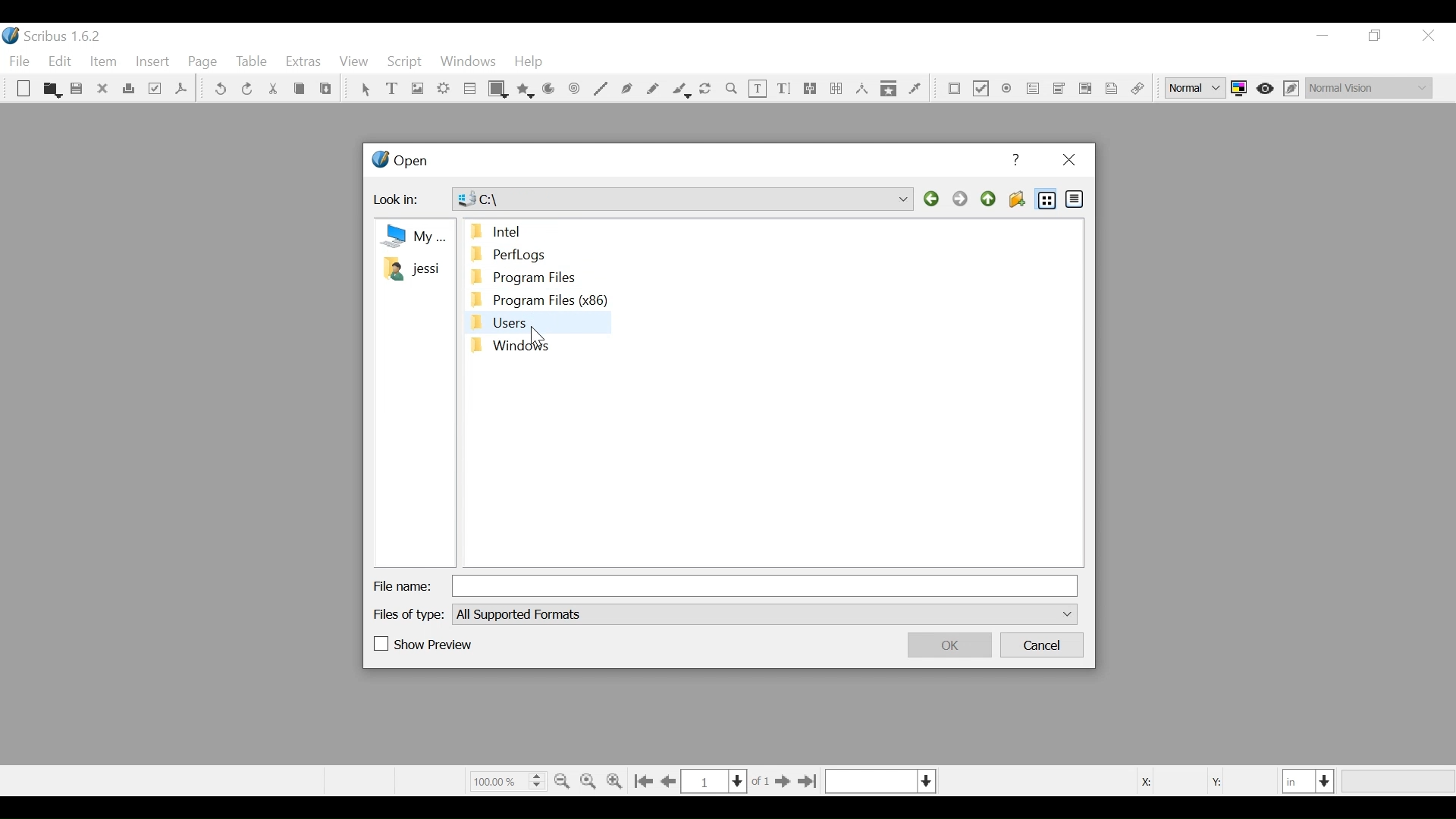 The image size is (1456, 819). What do you see at coordinates (811, 89) in the screenshot?
I see `link text frames` at bounding box center [811, 89].